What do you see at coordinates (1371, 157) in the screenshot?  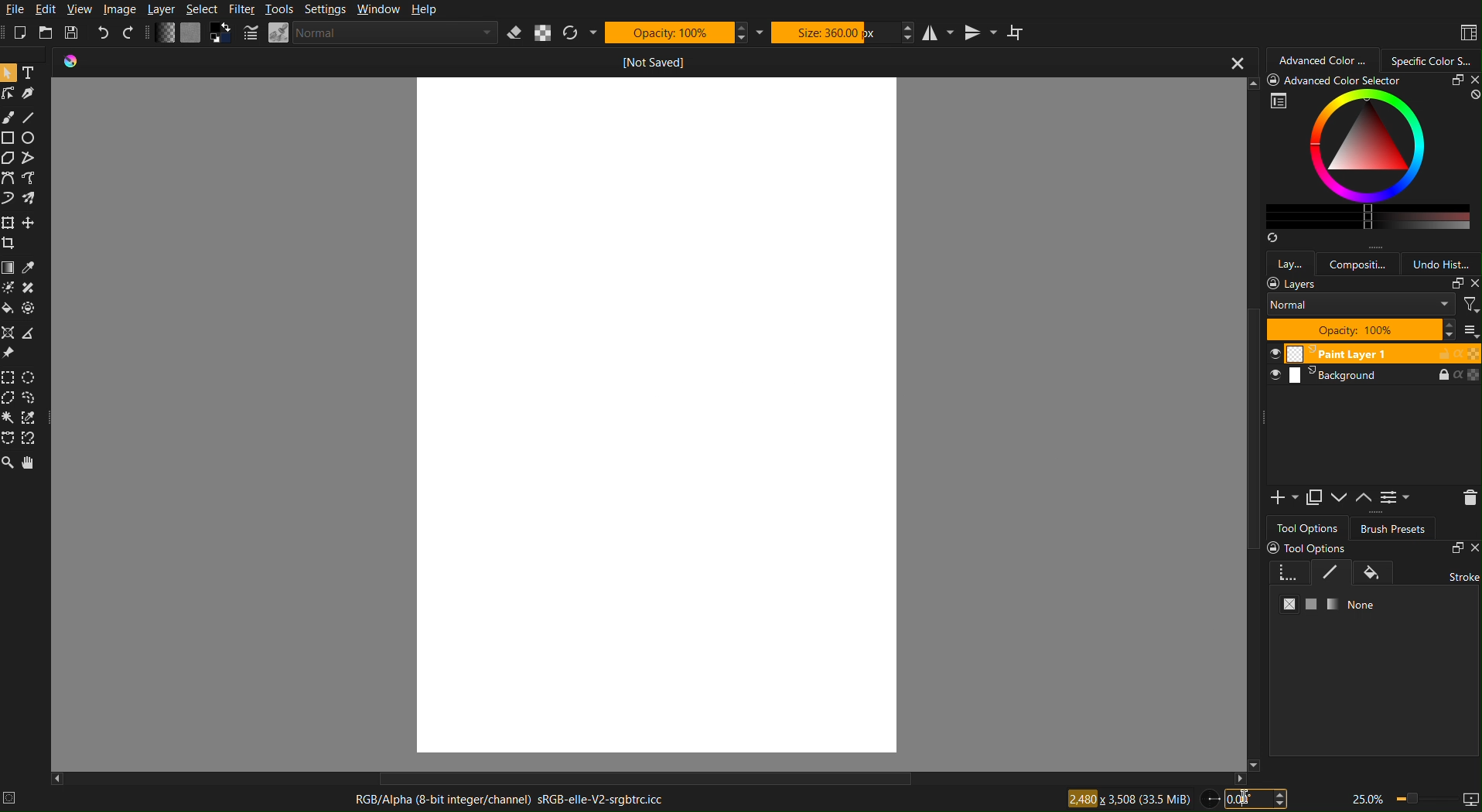 I see `Advanced Color Selector` at bounding box center [1371, 157].